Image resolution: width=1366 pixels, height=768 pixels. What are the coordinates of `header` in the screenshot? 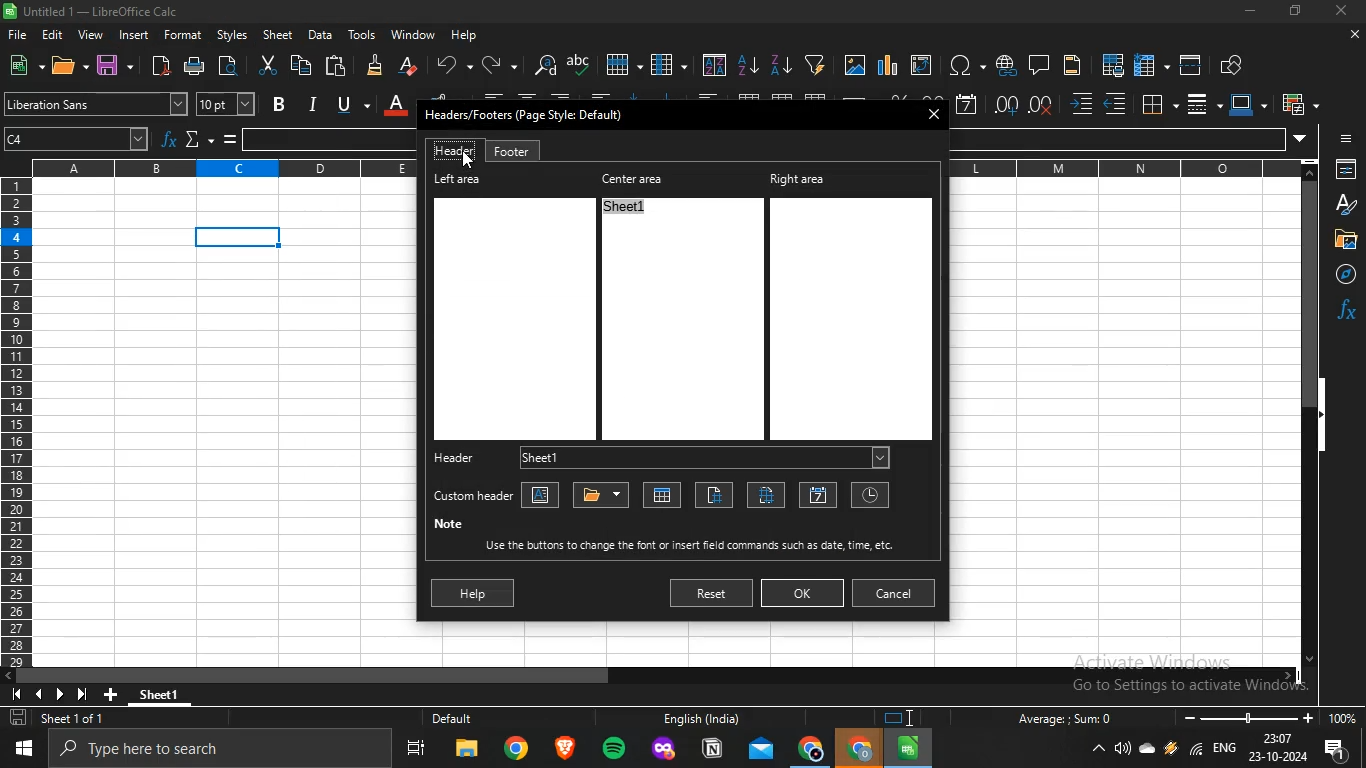 It's located at (455, 150).